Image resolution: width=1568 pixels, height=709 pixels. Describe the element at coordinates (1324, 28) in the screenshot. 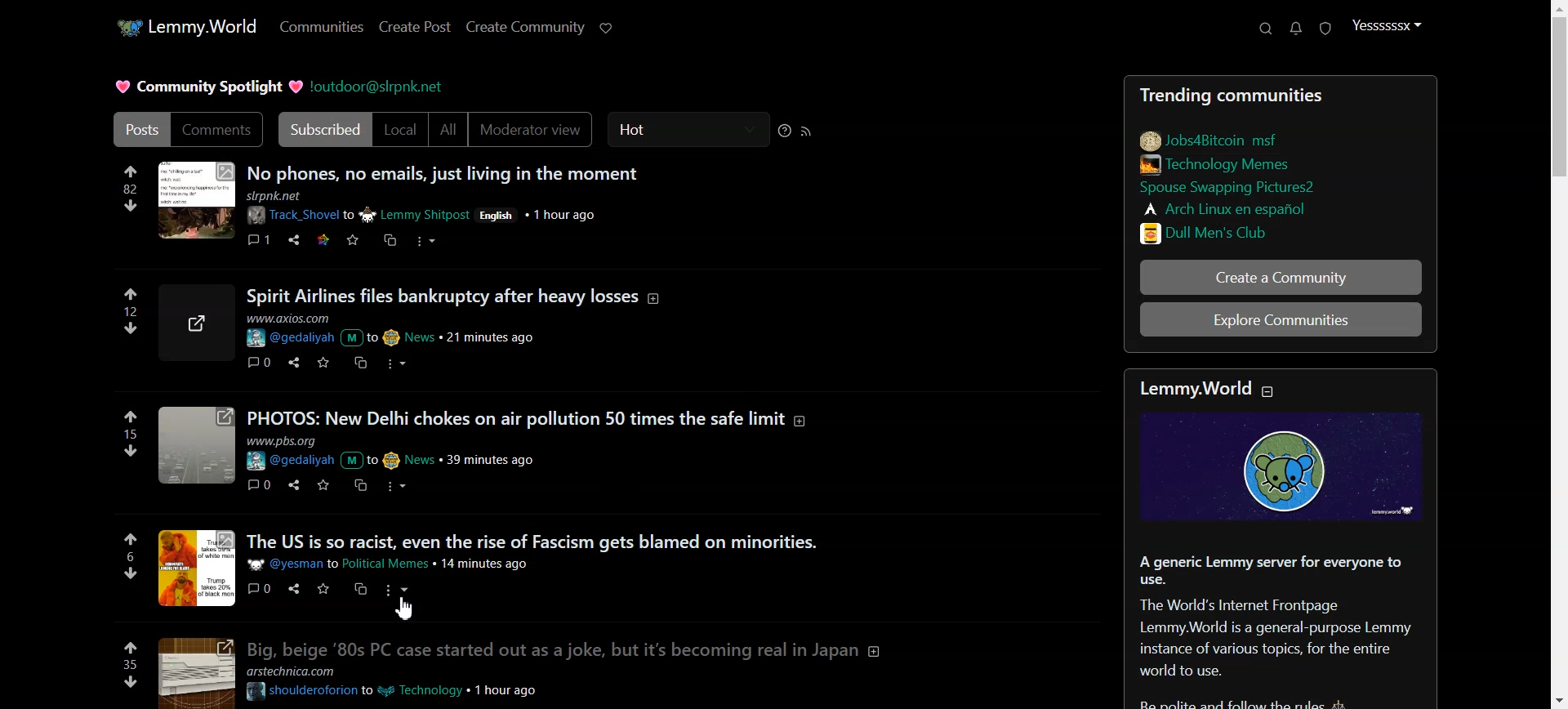

I see `Unread report` at that location.